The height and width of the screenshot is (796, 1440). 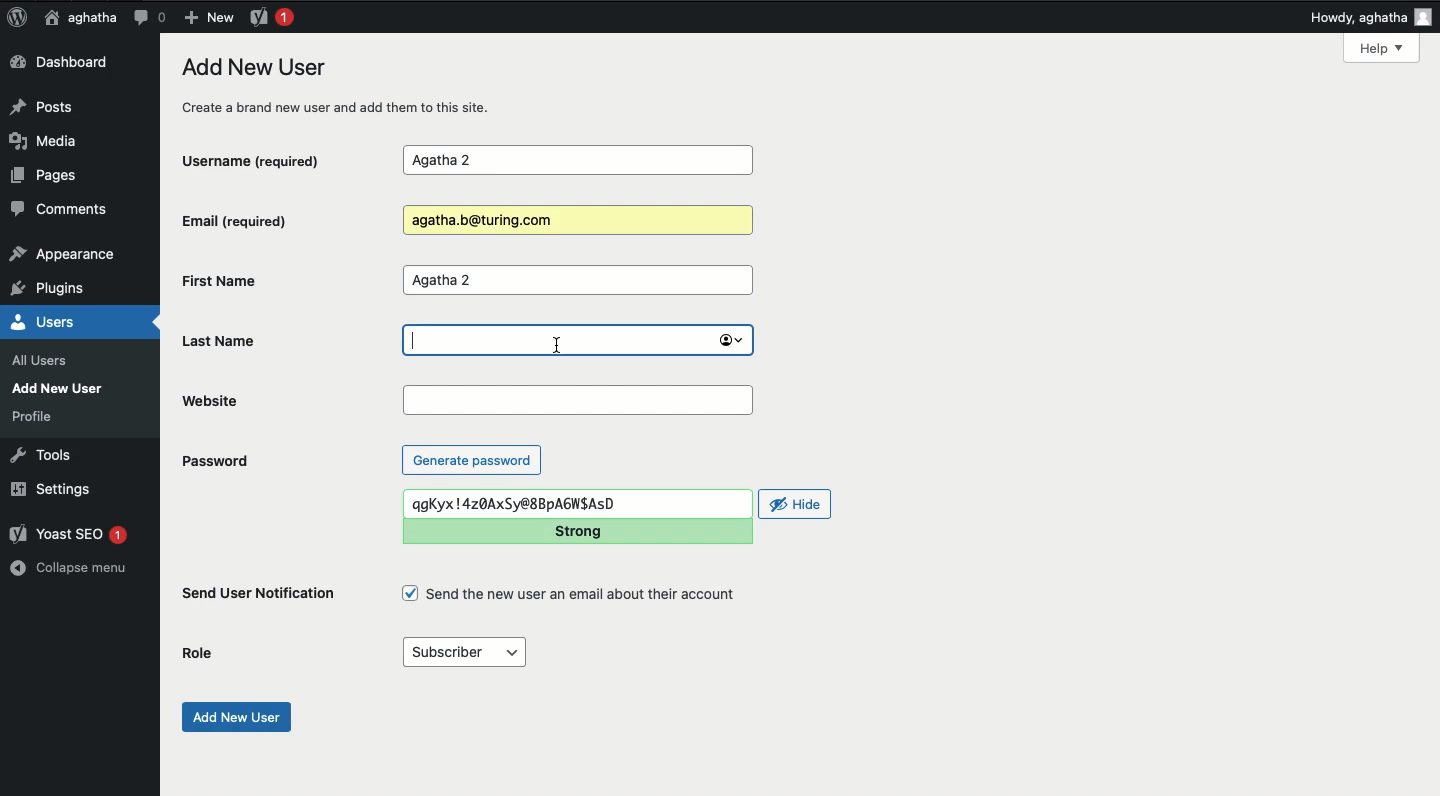 I want to click on Hide, so click(x=796, y=504).